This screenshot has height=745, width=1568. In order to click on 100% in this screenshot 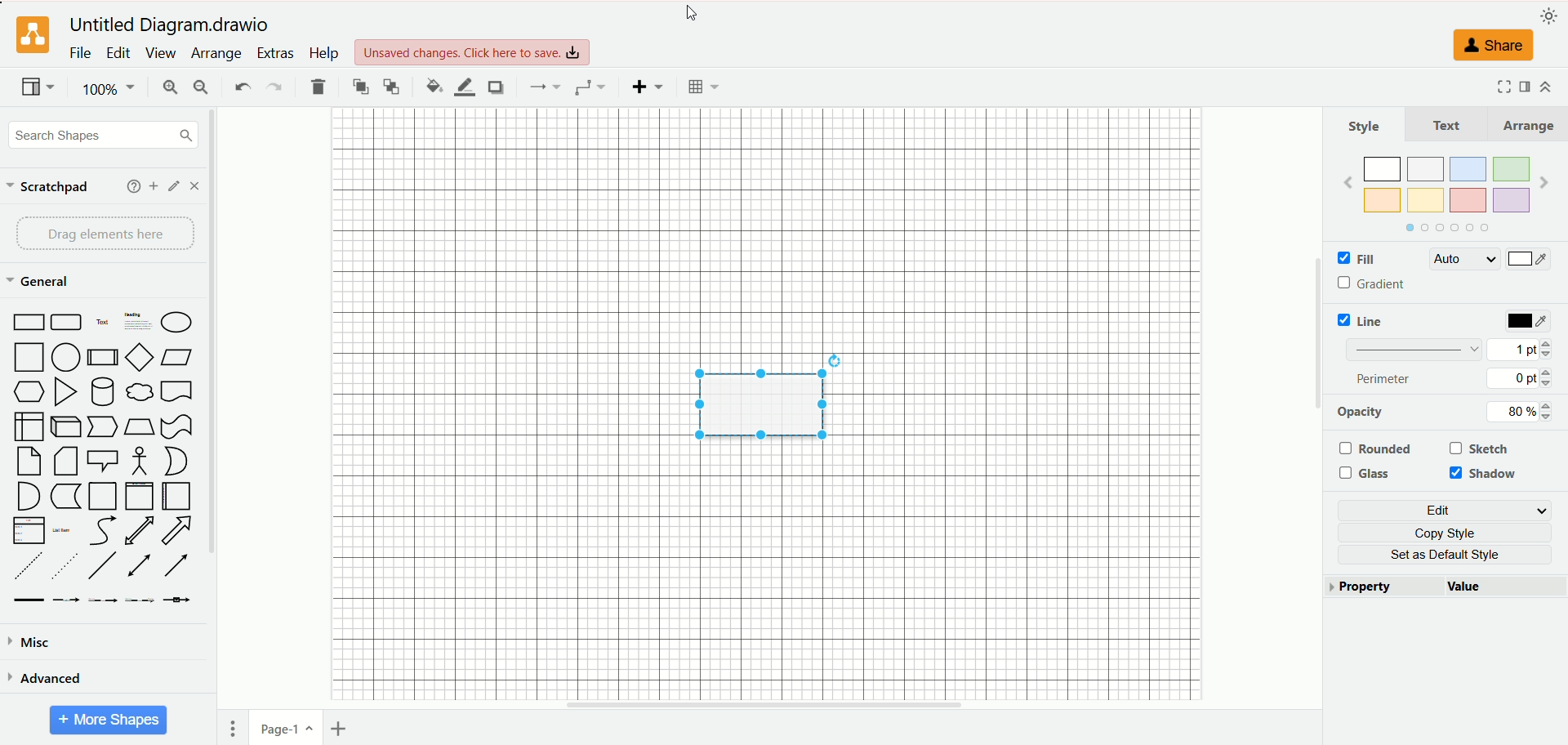, I will do `click(110, 89)`.